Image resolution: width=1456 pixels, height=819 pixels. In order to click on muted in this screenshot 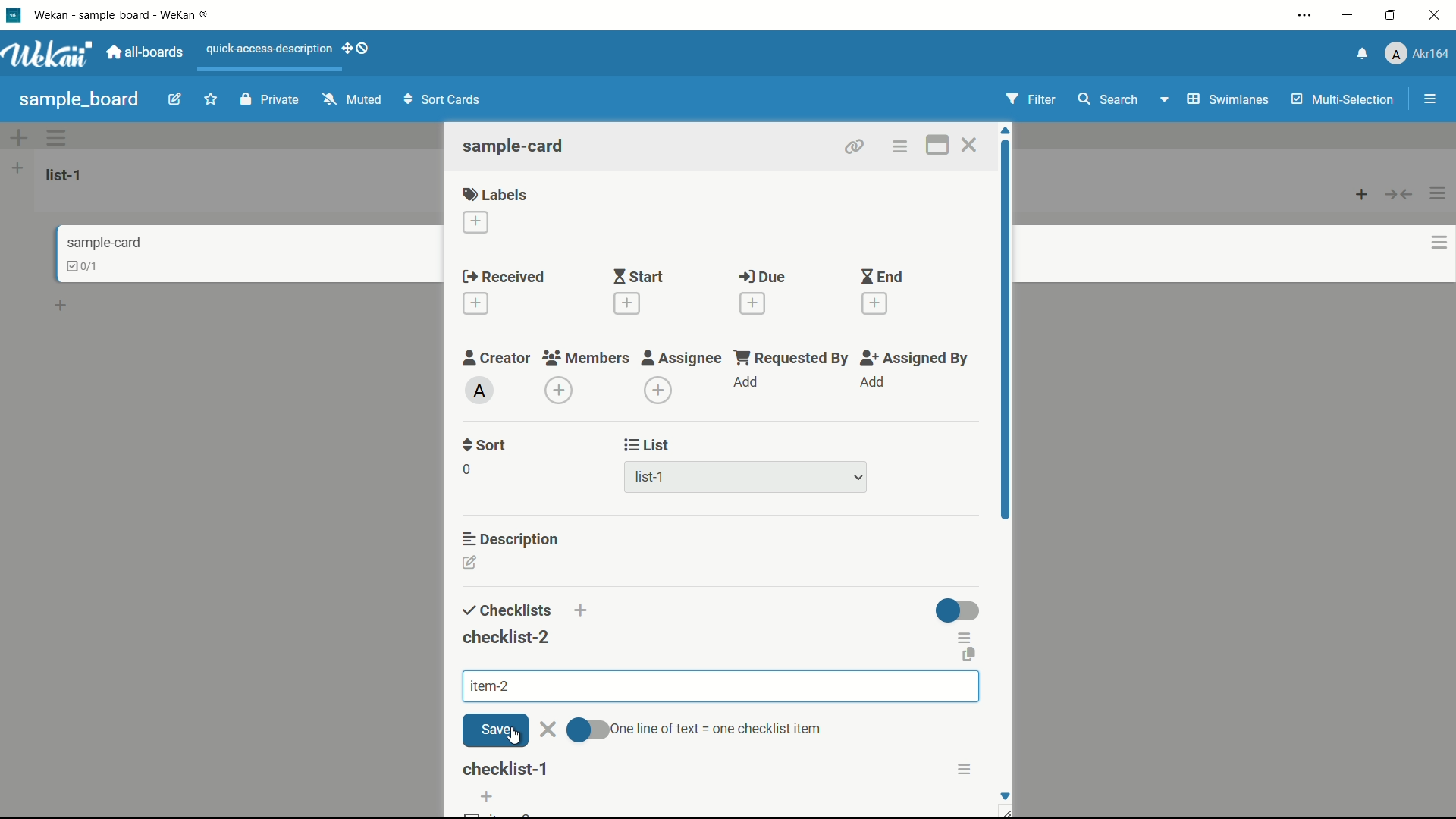, I will do `click(350, 100)`.